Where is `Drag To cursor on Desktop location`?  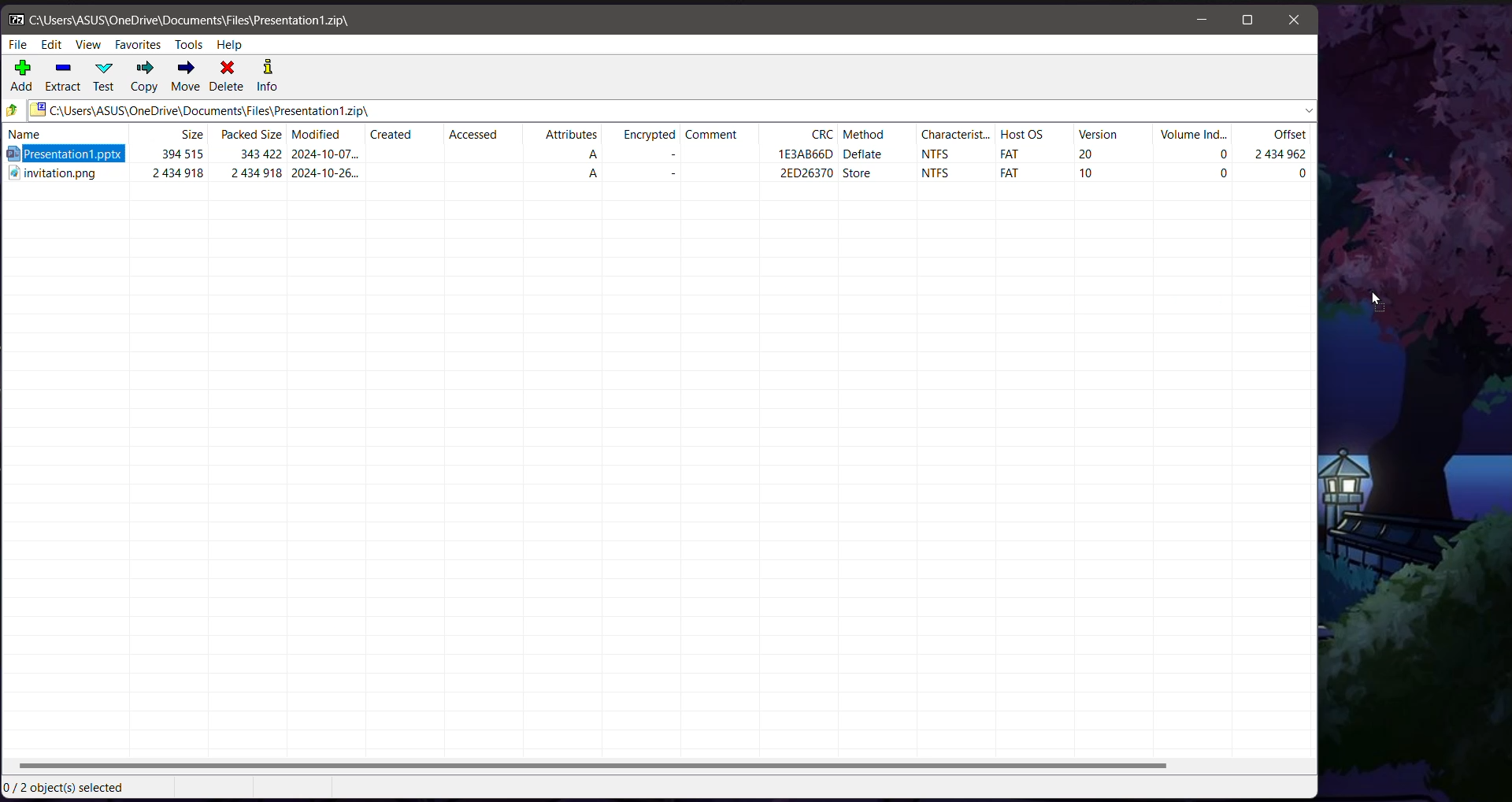 Drag To cursor on Desktop location is located at coordinates (1377, 300).